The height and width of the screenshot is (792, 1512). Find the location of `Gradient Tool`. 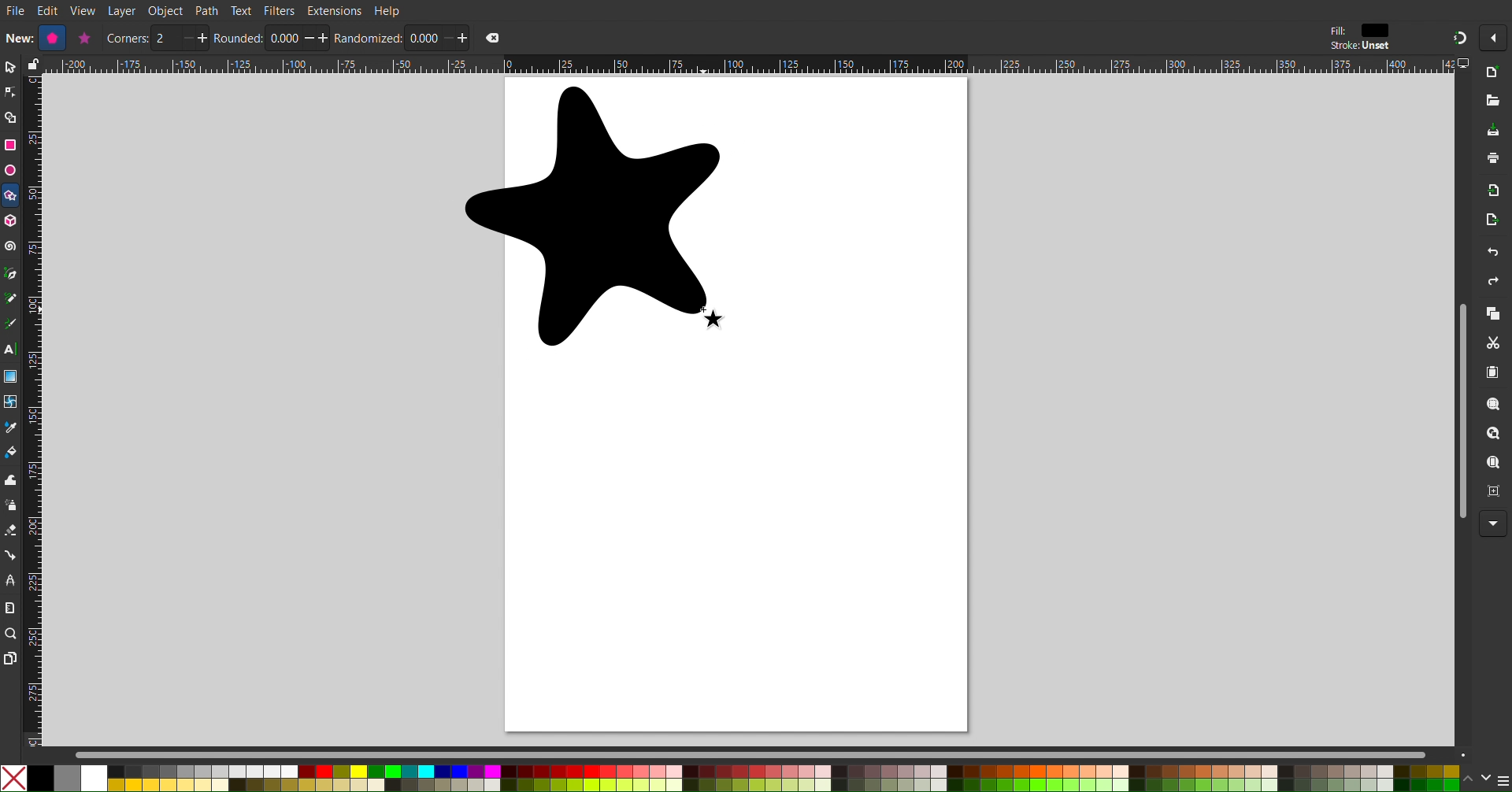

Gradient Tool is located at coordinates (11, 376).